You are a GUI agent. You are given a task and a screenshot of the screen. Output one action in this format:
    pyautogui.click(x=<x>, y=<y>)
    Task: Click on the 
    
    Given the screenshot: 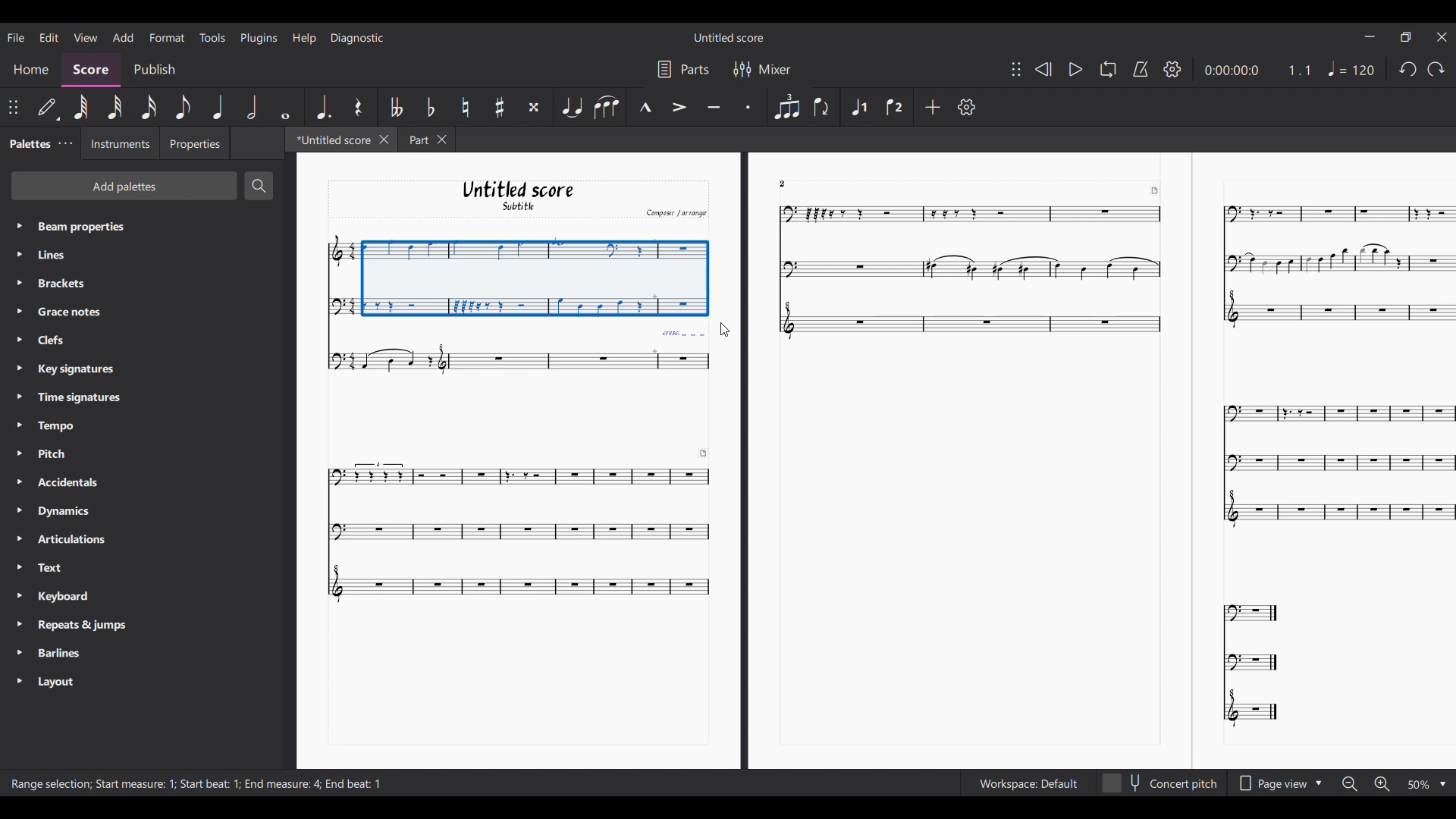 What is the action you would take?
    pyautogui.click(x=17, y=400)
    